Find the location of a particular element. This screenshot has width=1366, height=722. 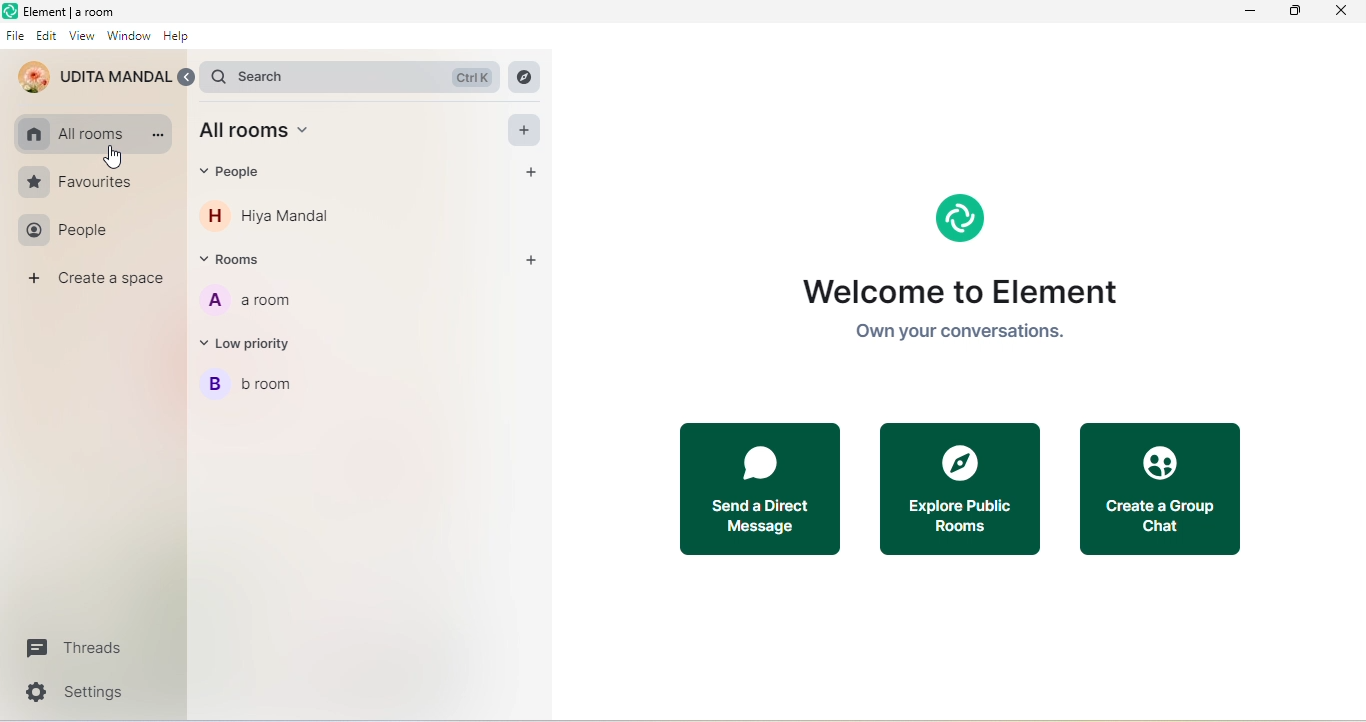

Explore Public Rooms is located at coordinates (956, 488).